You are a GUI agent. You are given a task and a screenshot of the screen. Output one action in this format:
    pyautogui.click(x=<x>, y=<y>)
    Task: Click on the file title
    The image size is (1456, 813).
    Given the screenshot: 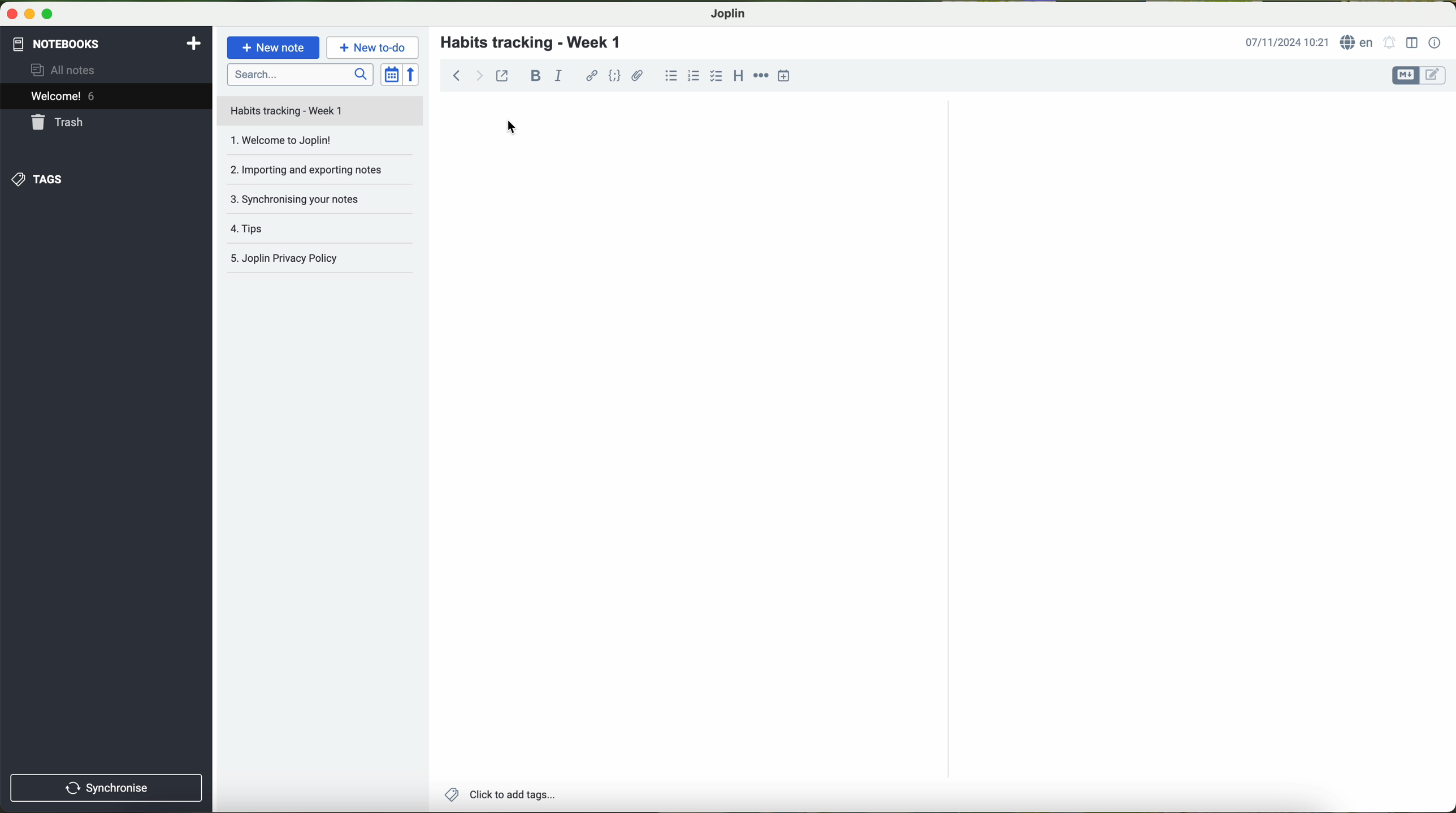 What is the action you would take?
    pyautogui.click(x=320, y=111)
    